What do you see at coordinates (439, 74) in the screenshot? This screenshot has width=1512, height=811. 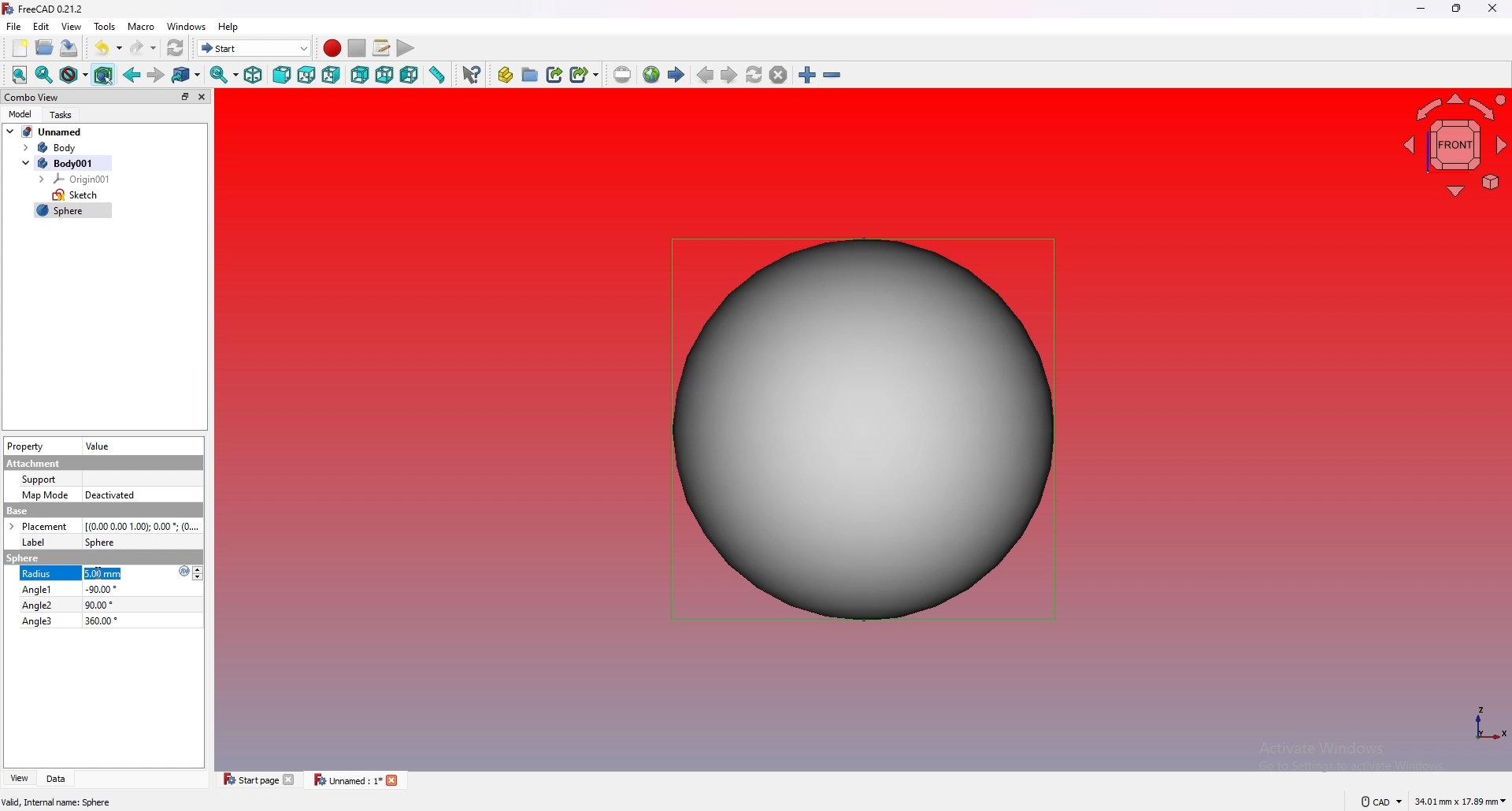 I see `measure distance` at bounding box center [439, 74].